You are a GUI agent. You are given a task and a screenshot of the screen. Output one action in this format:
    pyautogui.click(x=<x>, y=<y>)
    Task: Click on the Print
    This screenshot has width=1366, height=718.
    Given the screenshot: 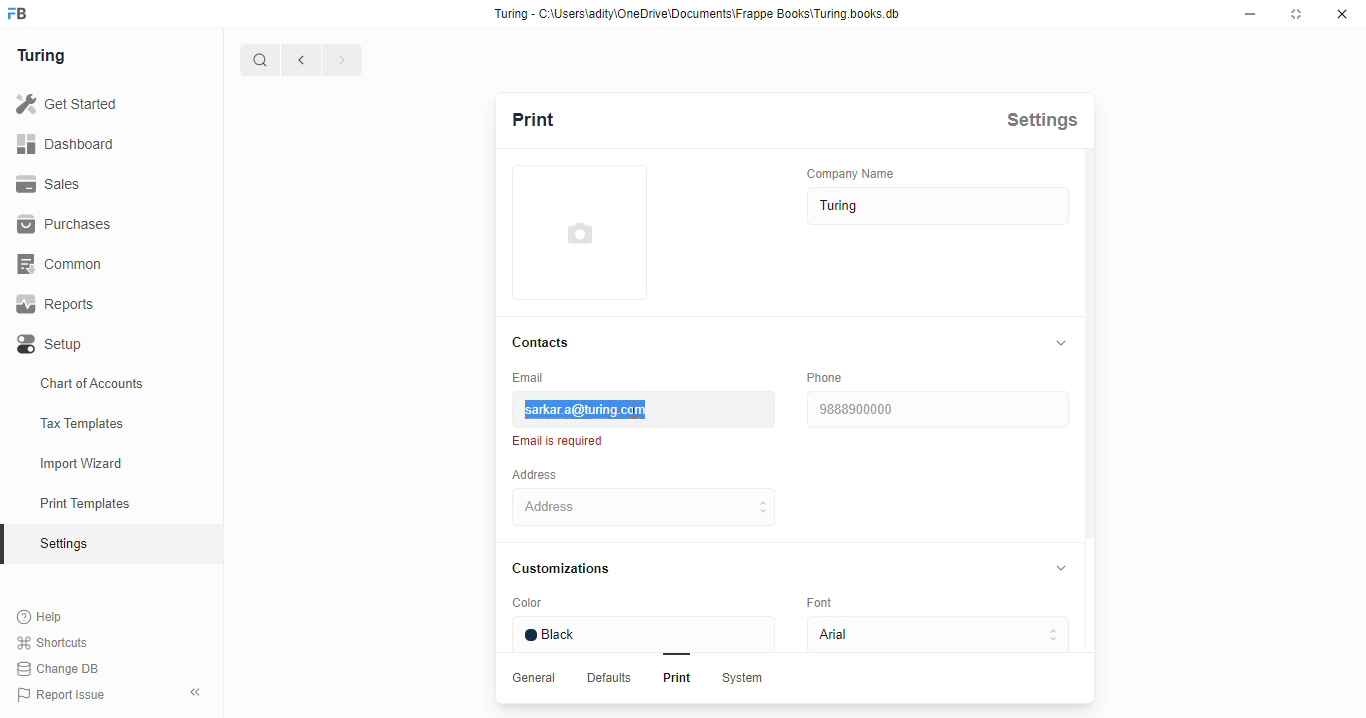 What is the action you would take?
    pyautogui.click(x=673, y=680)
    